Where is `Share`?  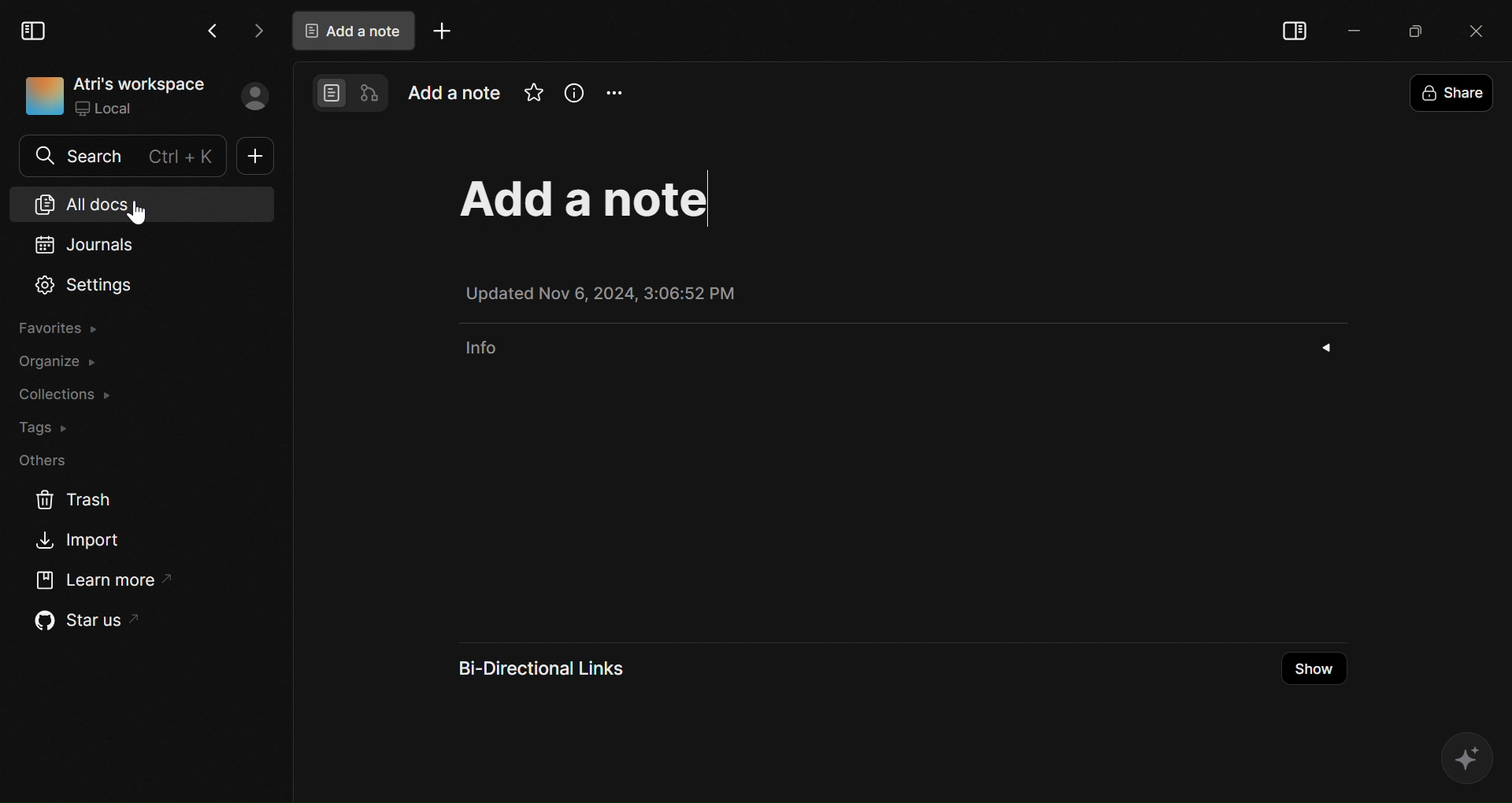 Share is located at coordinates (1451, 93).